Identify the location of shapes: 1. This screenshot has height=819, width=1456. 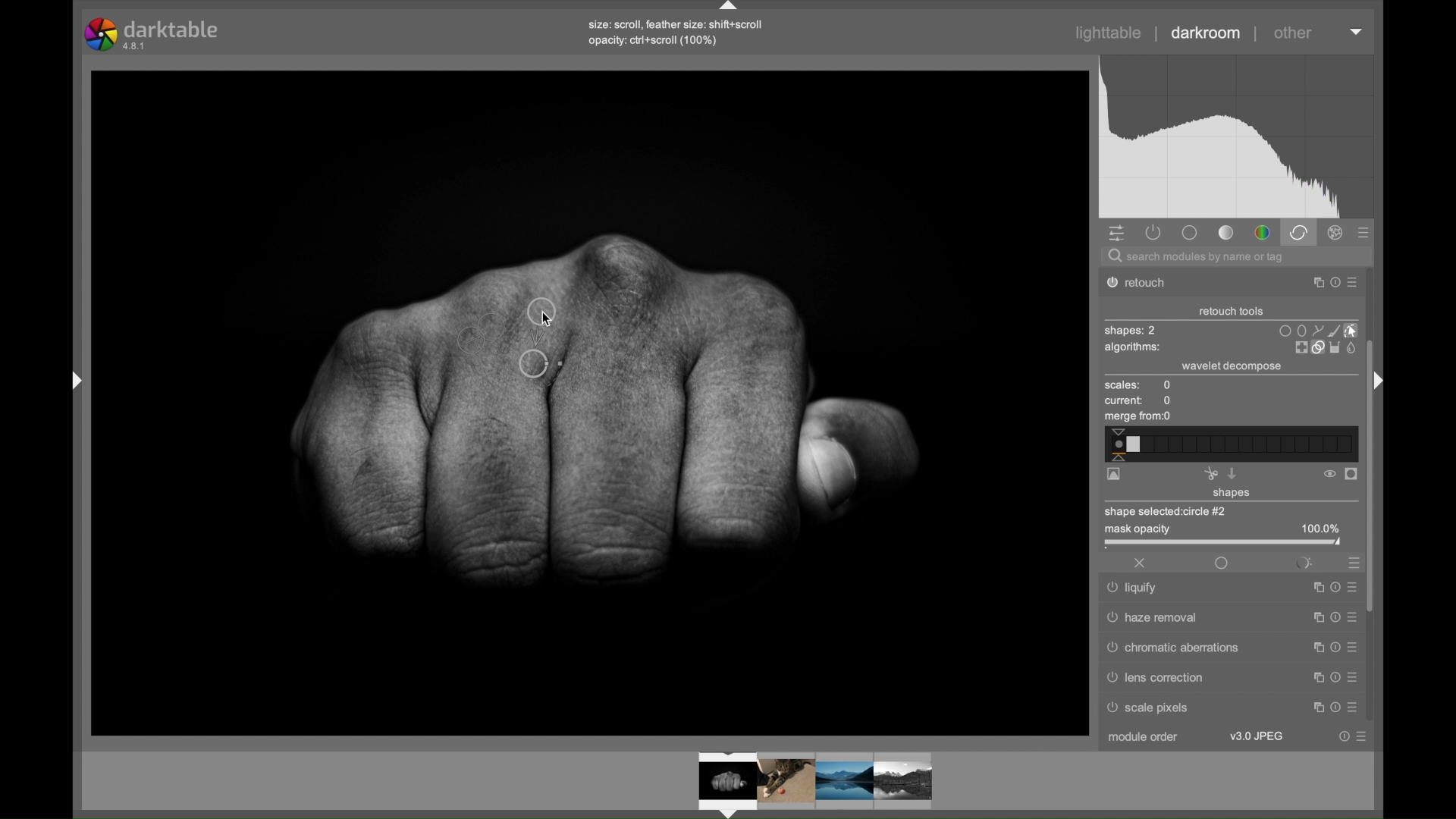
(1129, 331).